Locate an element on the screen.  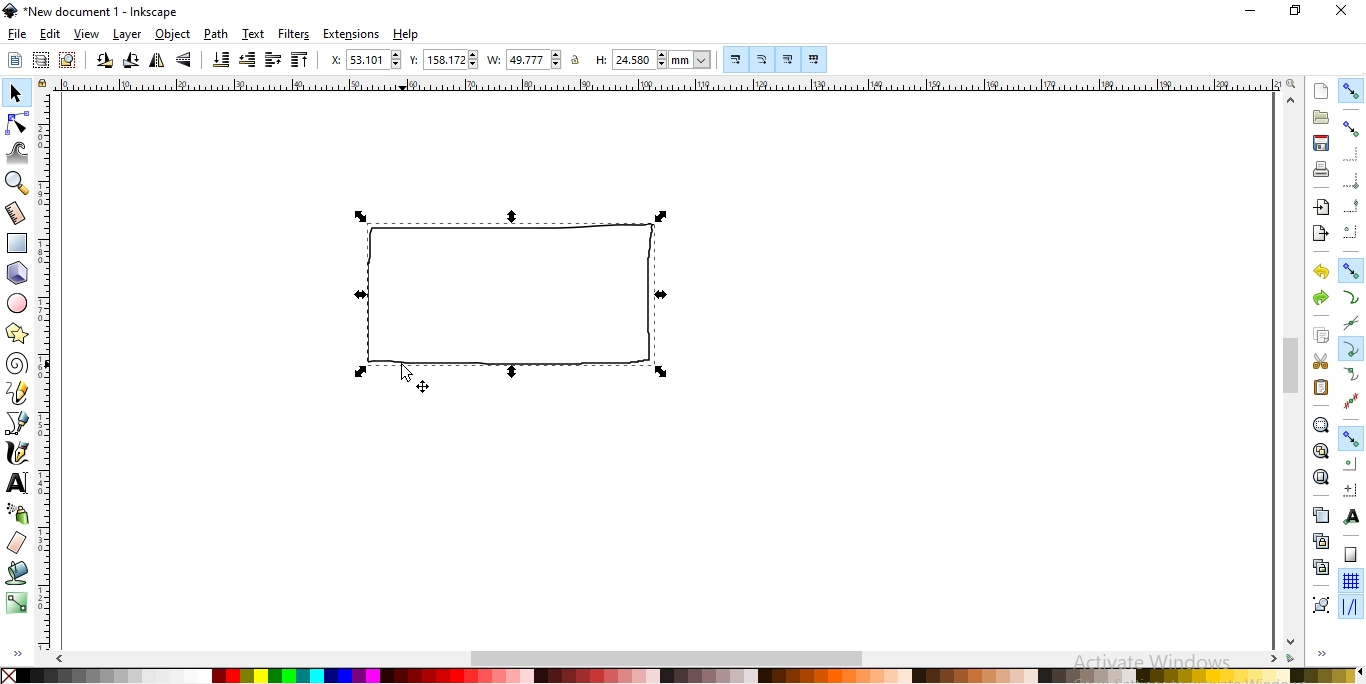
snap to page border is located at coordinates (1351, 554).